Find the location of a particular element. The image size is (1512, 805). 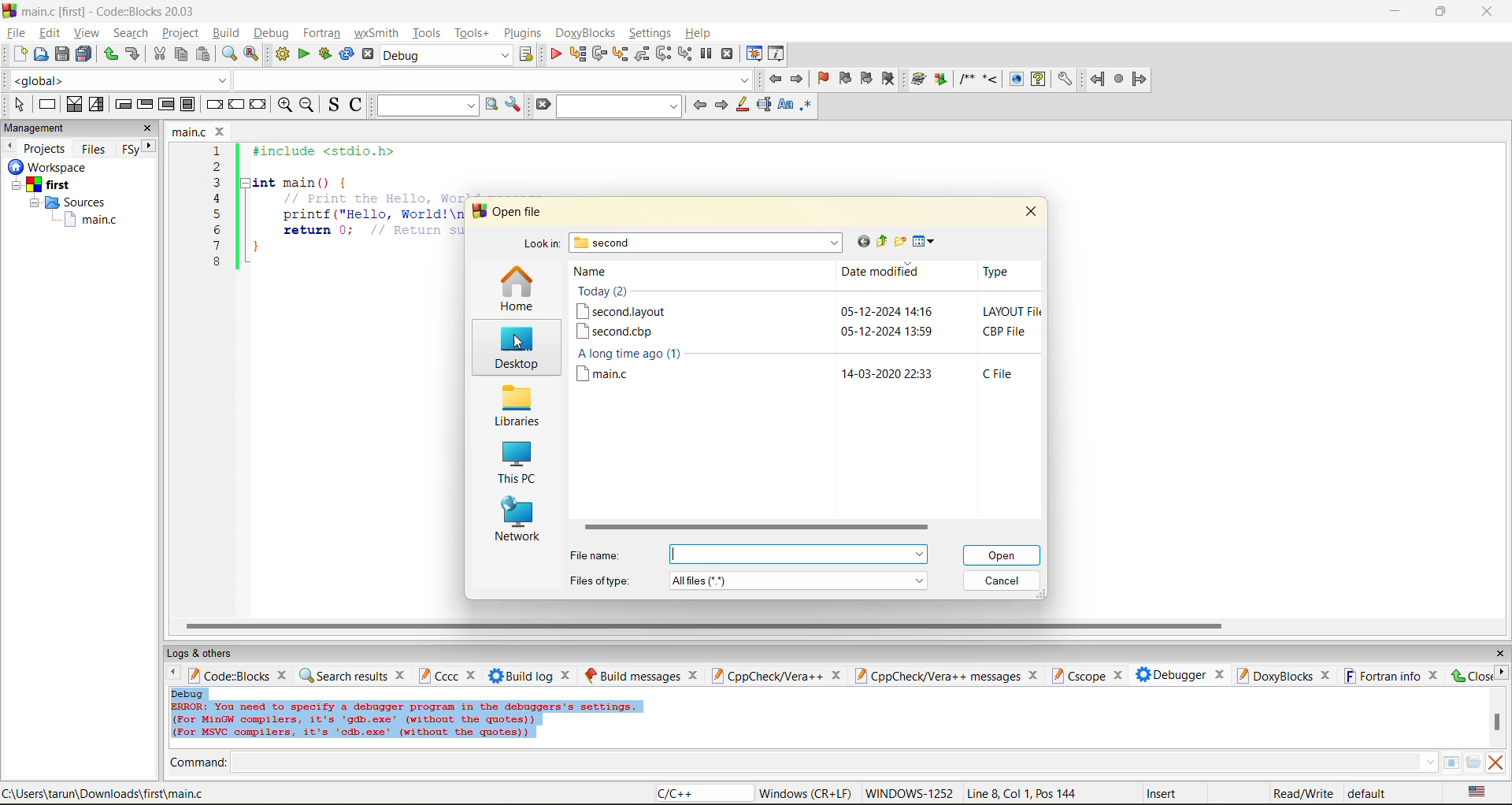

close is located at coordinates (694, 675).